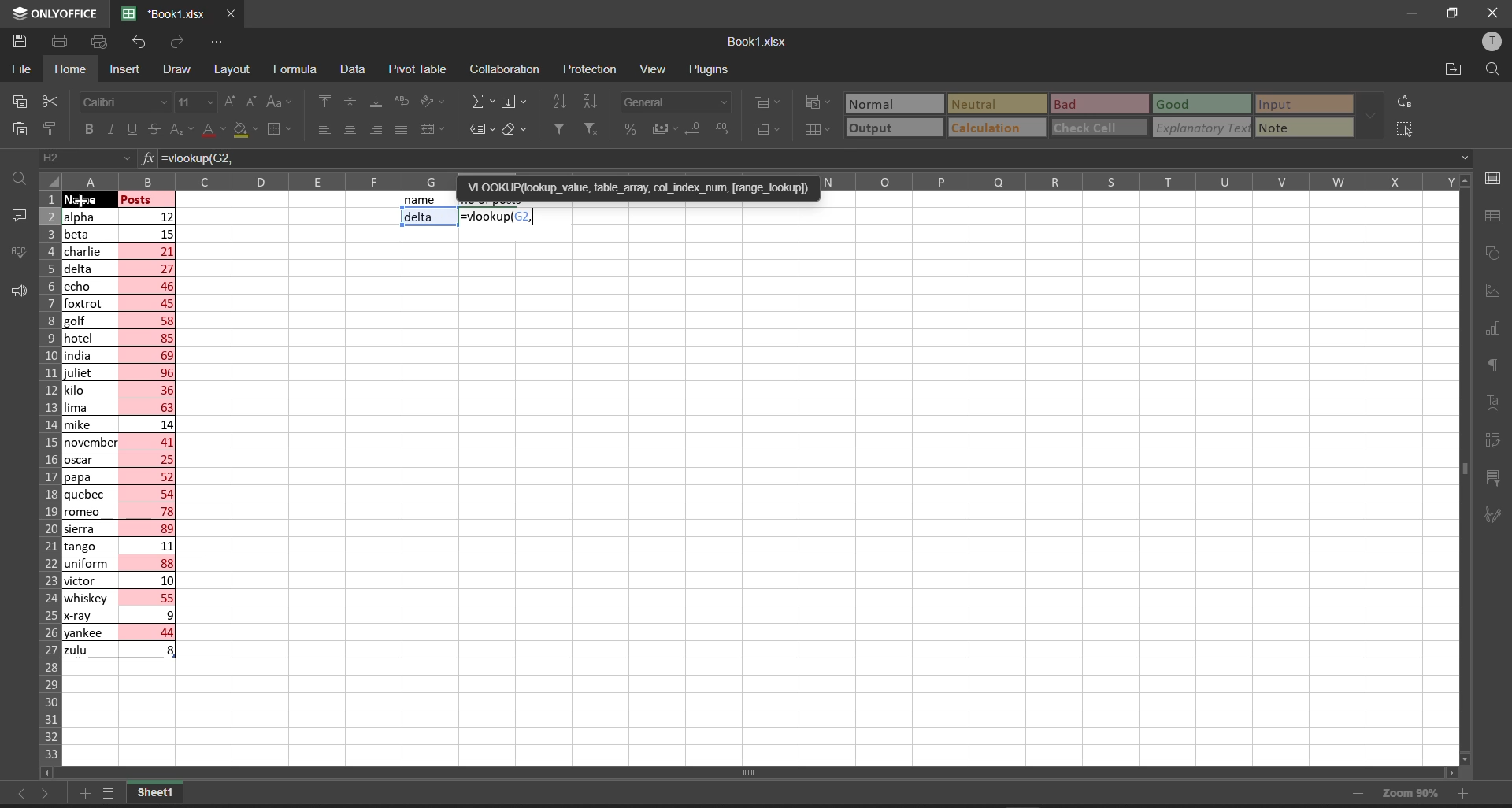 Image resolution: width=1512 pixels, height=808 pixels. Describe the element at coordinates (658, 128) in the screenshot. I see `accounting style` at that location.